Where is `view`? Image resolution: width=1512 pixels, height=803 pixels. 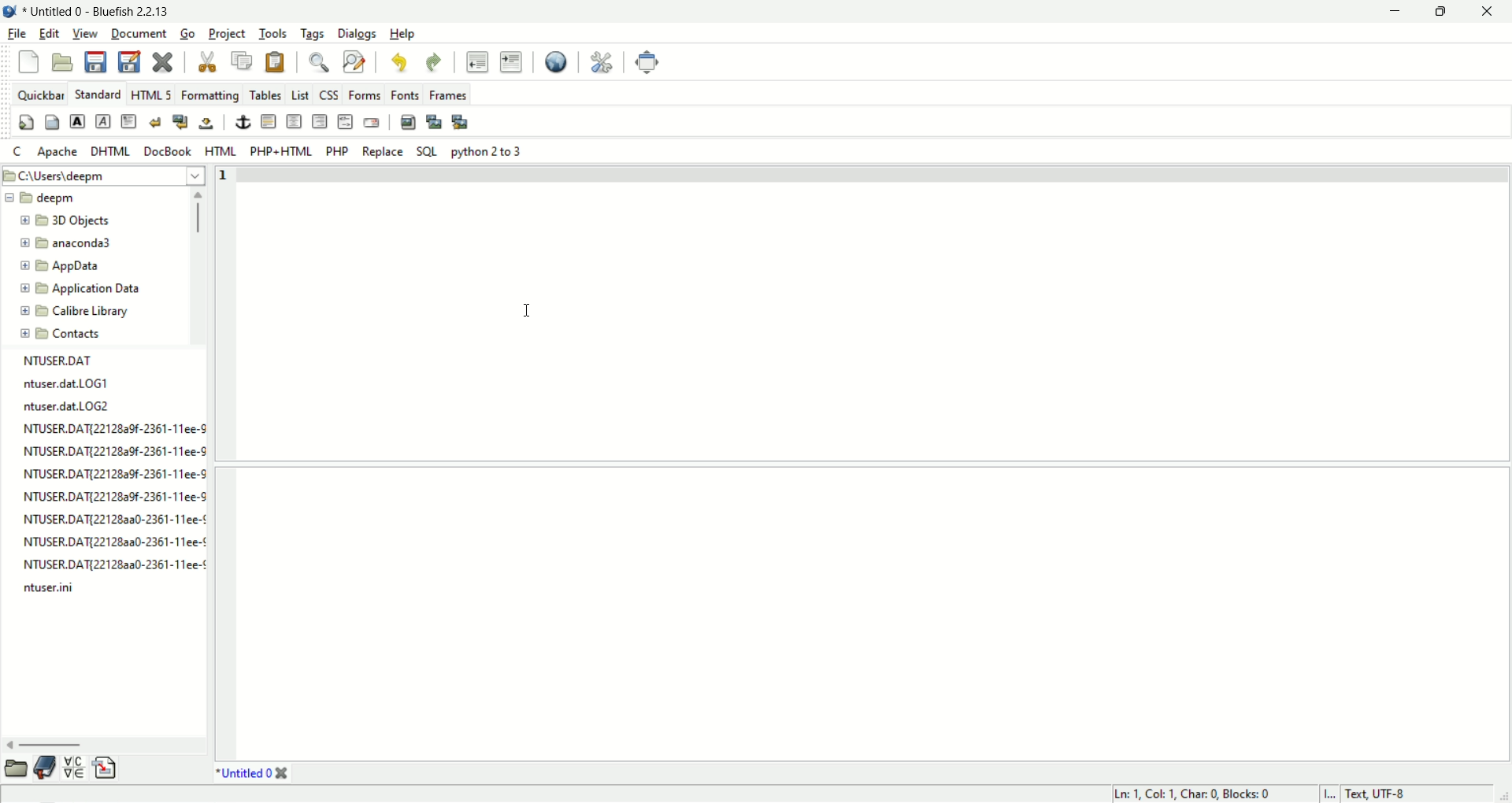 view is located at coordinates (85, 34).